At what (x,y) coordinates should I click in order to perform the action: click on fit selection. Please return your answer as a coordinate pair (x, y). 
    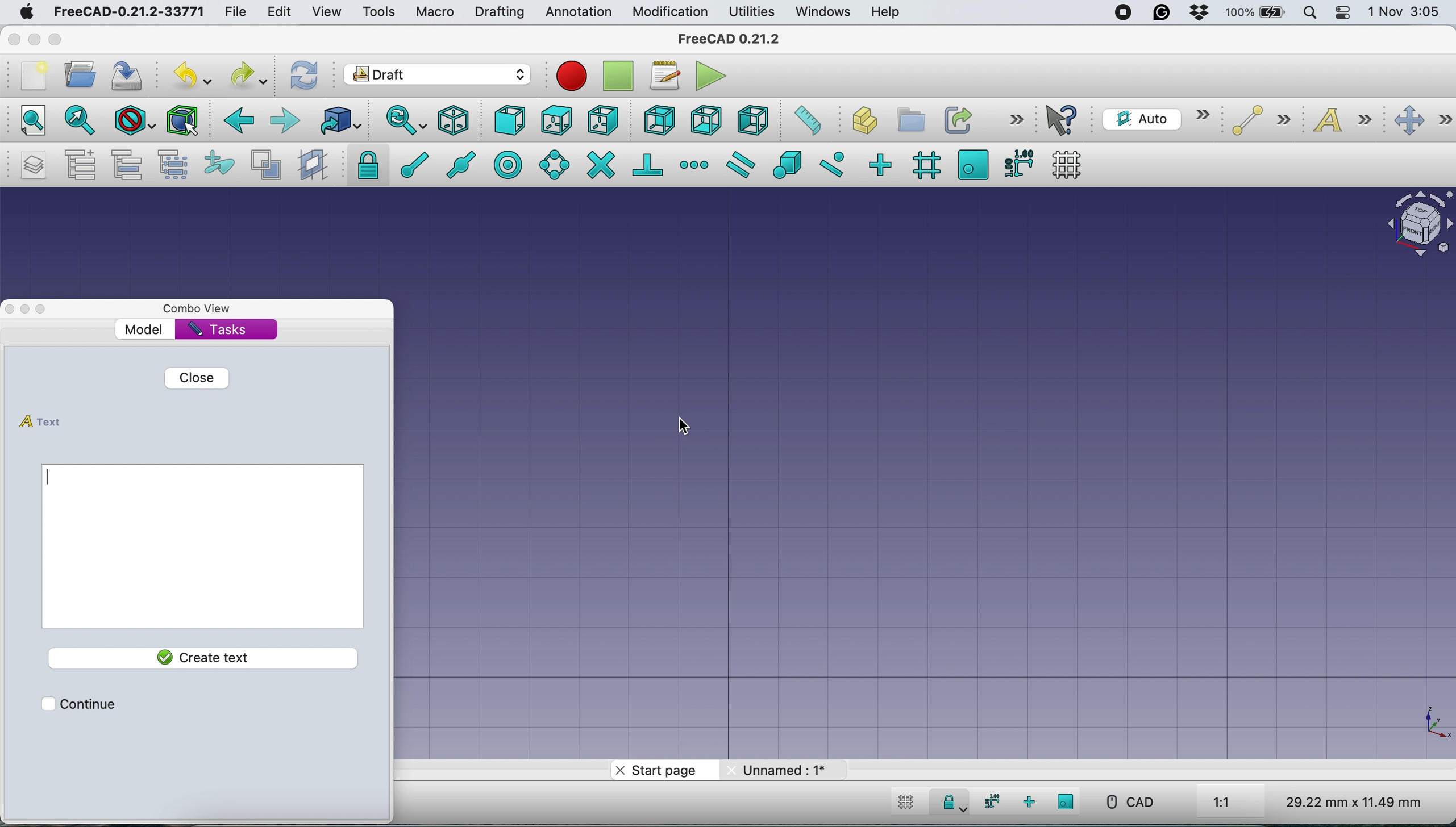
    Looking at the image, I should click on (80, 120).